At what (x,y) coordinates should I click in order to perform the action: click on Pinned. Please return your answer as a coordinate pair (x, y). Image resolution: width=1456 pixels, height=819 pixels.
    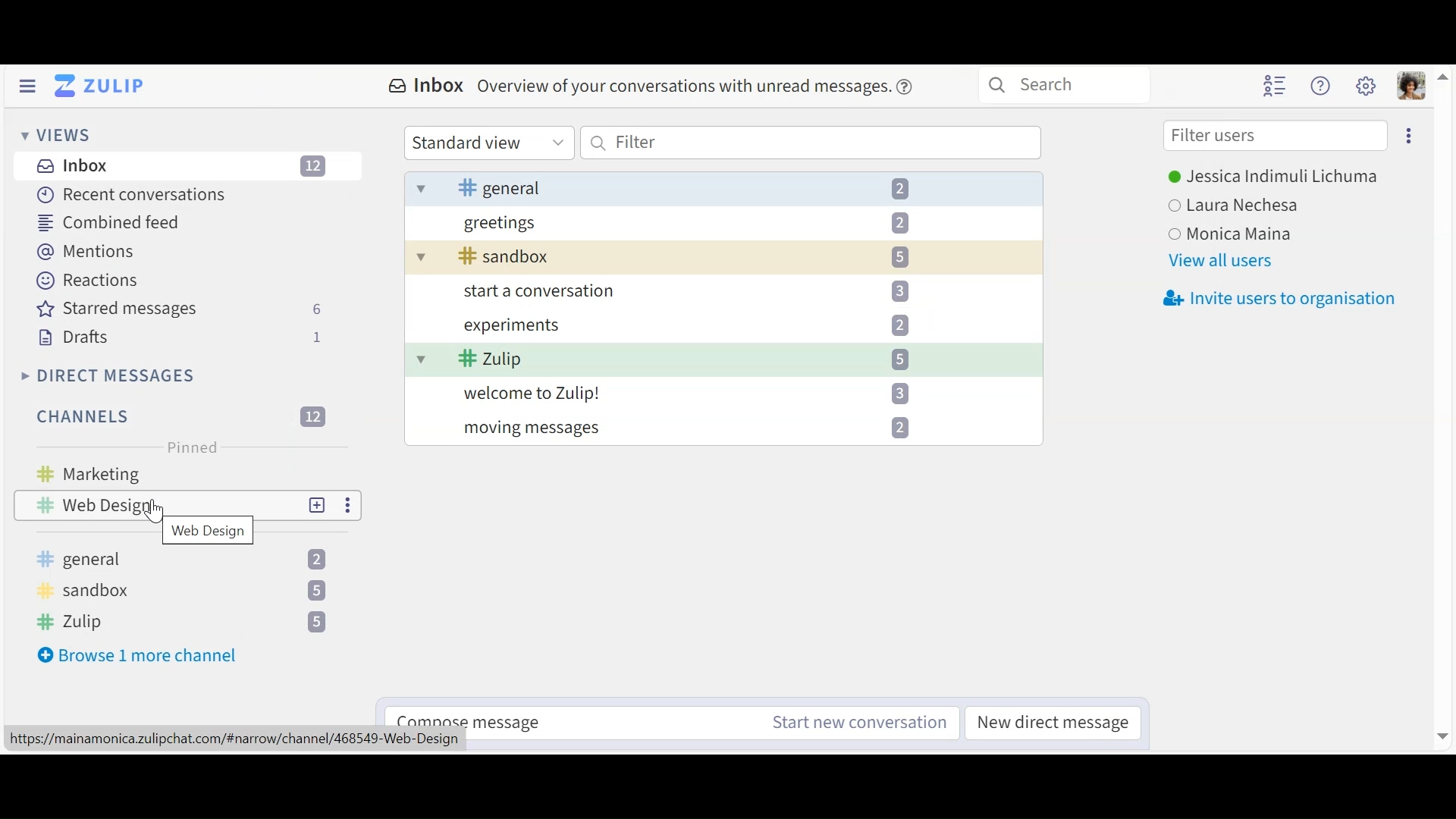
    Looking at the image, I should click on (192, 448).